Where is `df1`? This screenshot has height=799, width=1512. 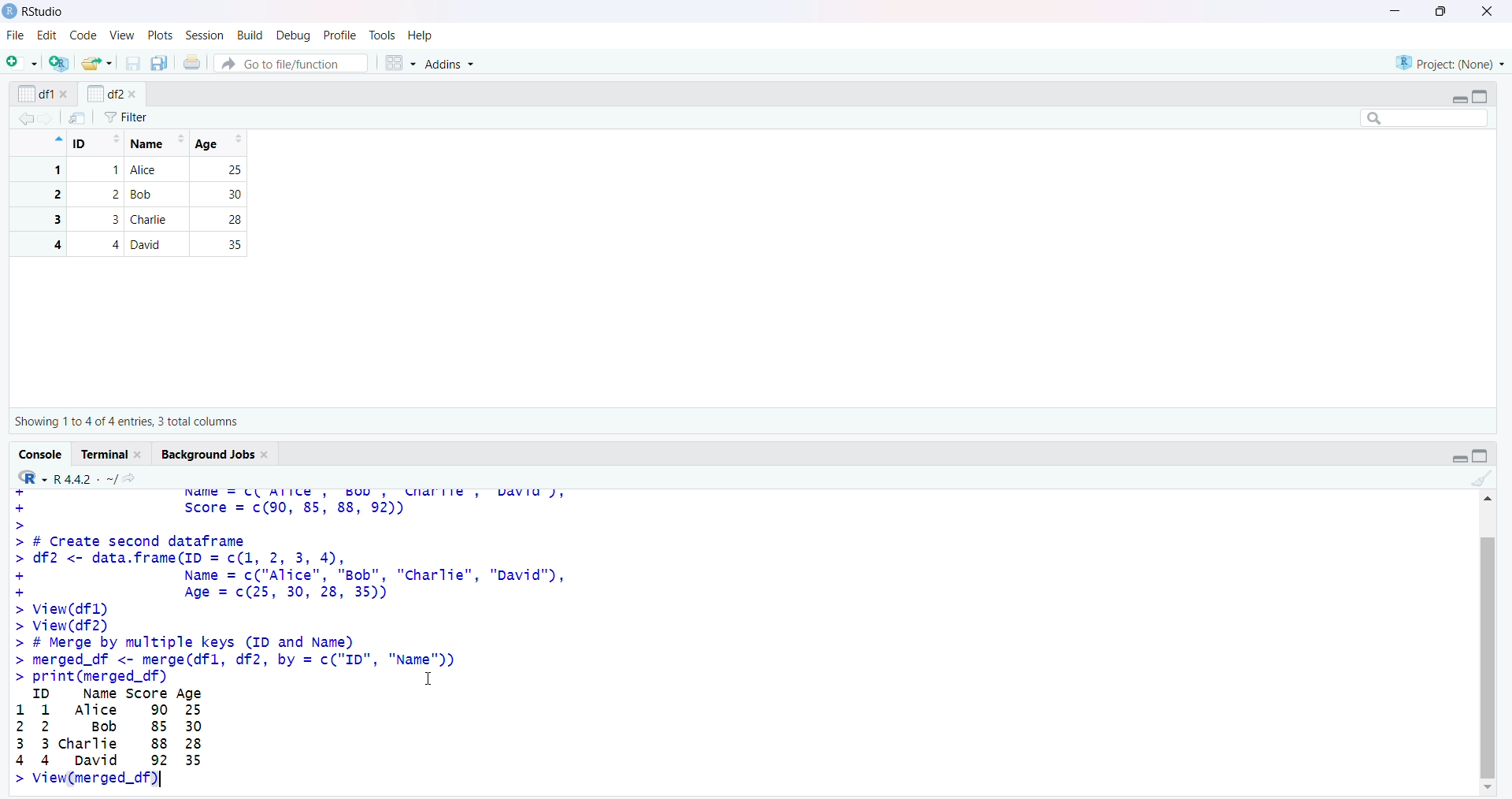 df1 is located at coordinates (35, 94).